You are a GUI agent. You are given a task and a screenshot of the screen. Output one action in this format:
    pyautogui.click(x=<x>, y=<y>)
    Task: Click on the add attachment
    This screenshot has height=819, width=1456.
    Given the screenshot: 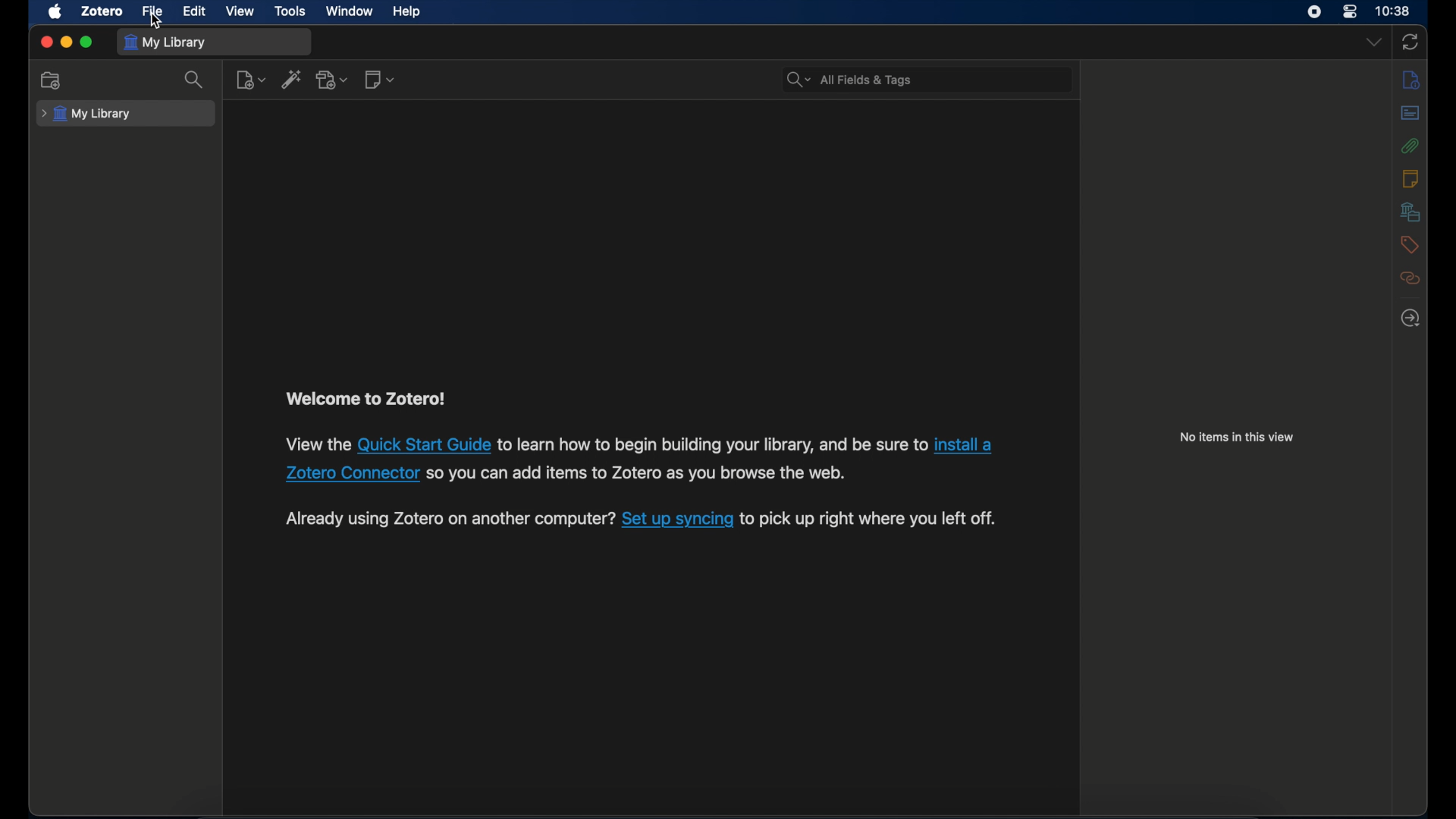 What is the action you would take?
    pyautogui.click(x=333, y=80)
    